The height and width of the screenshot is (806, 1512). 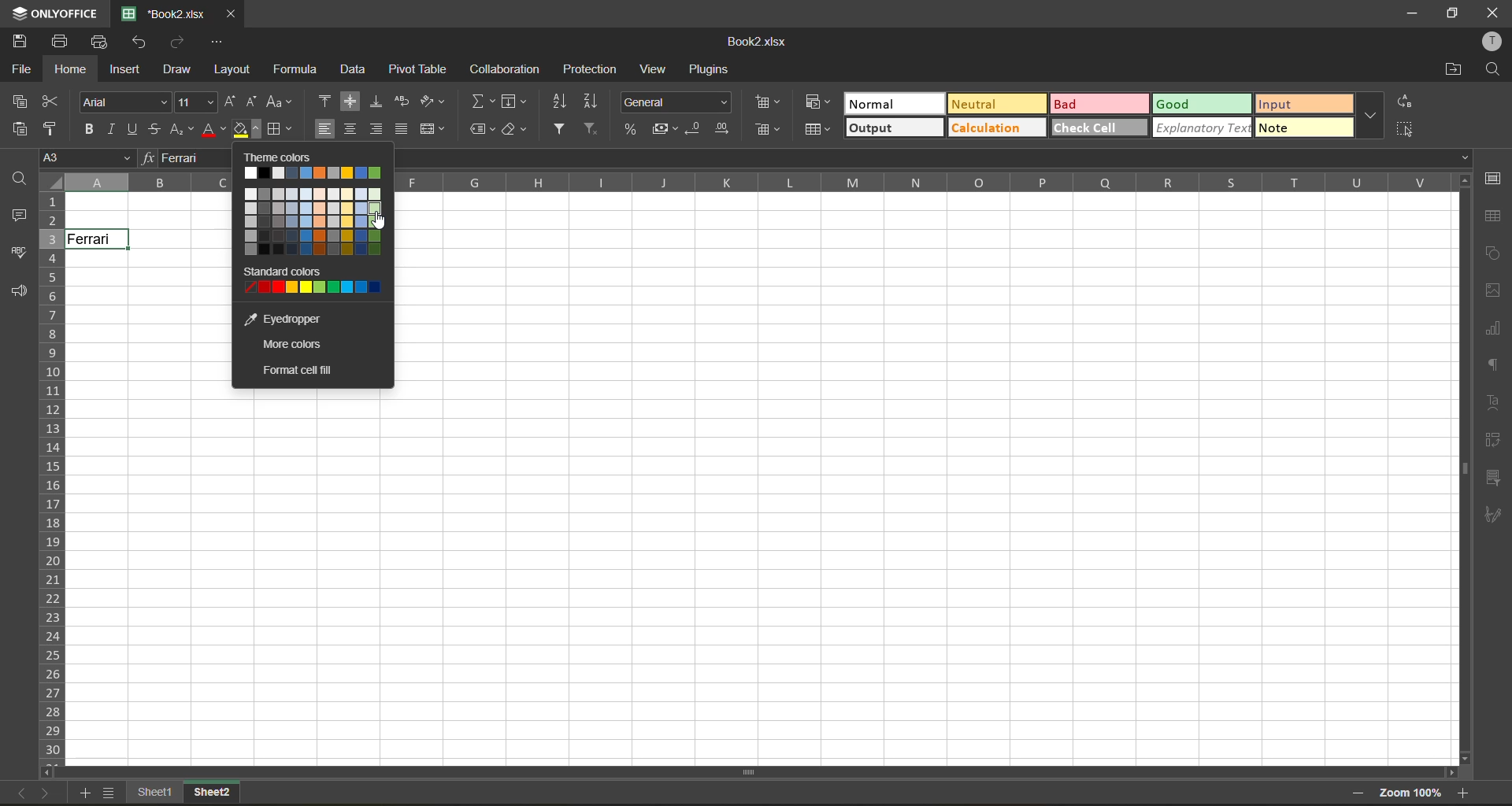 I want to click on images, so click(x=1490, y=291).